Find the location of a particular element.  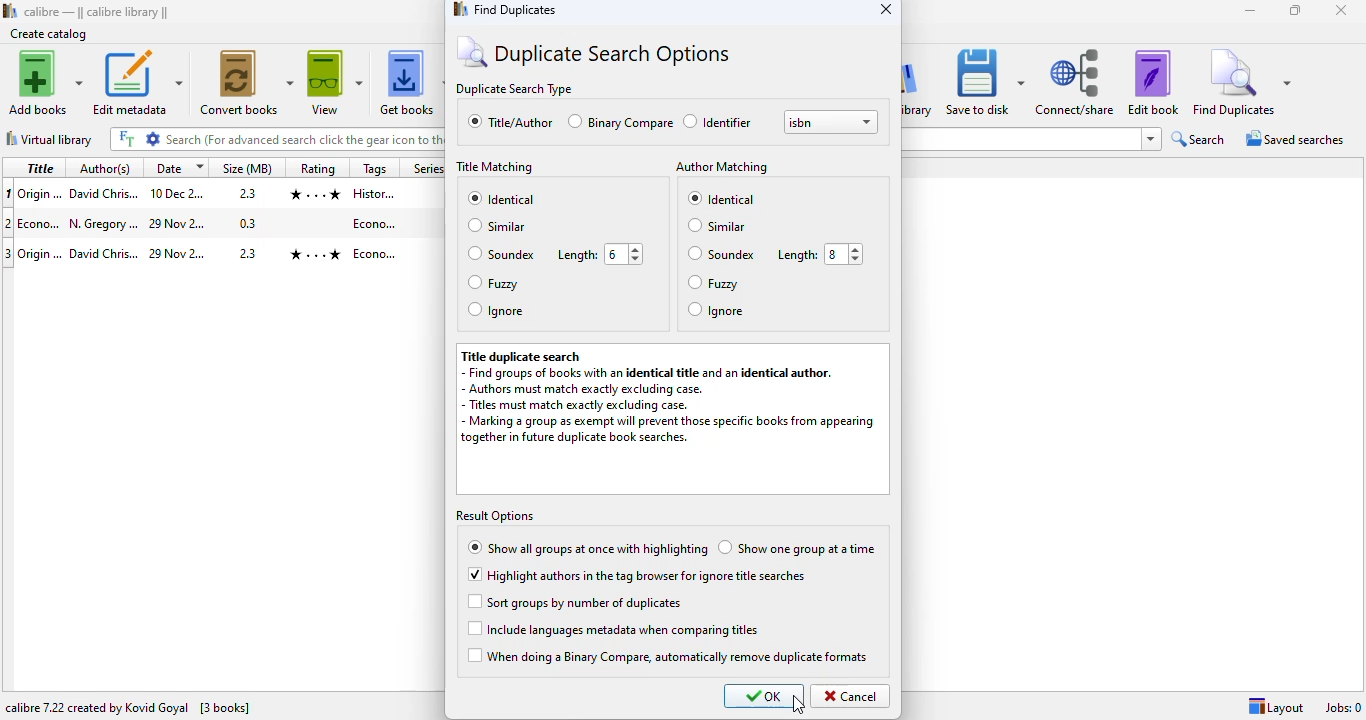

title matching is located at coordinates (495, 166).